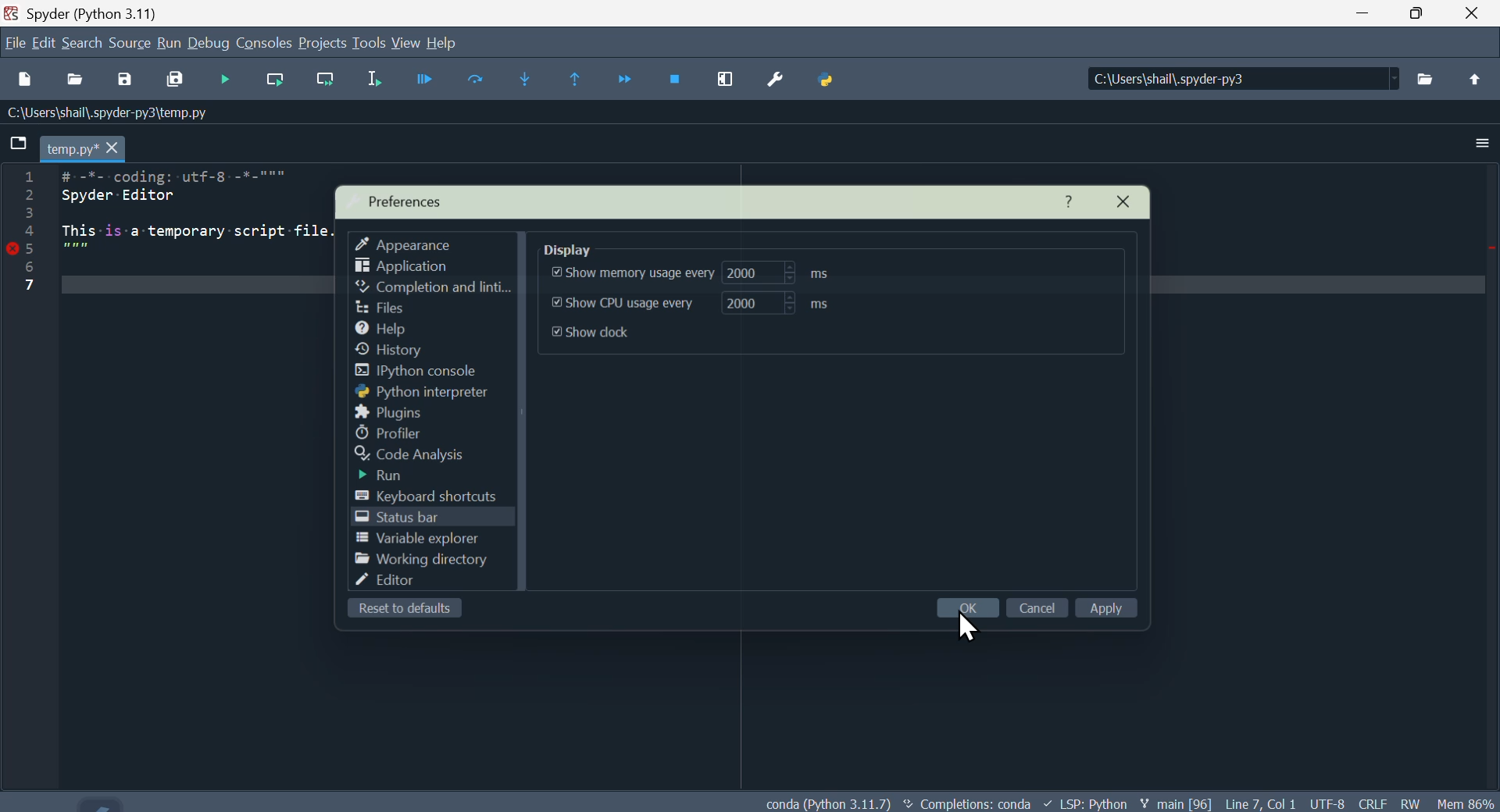 The height and width of the screenshot is (812, 1500). I want to click on Search, so click(83, 41).